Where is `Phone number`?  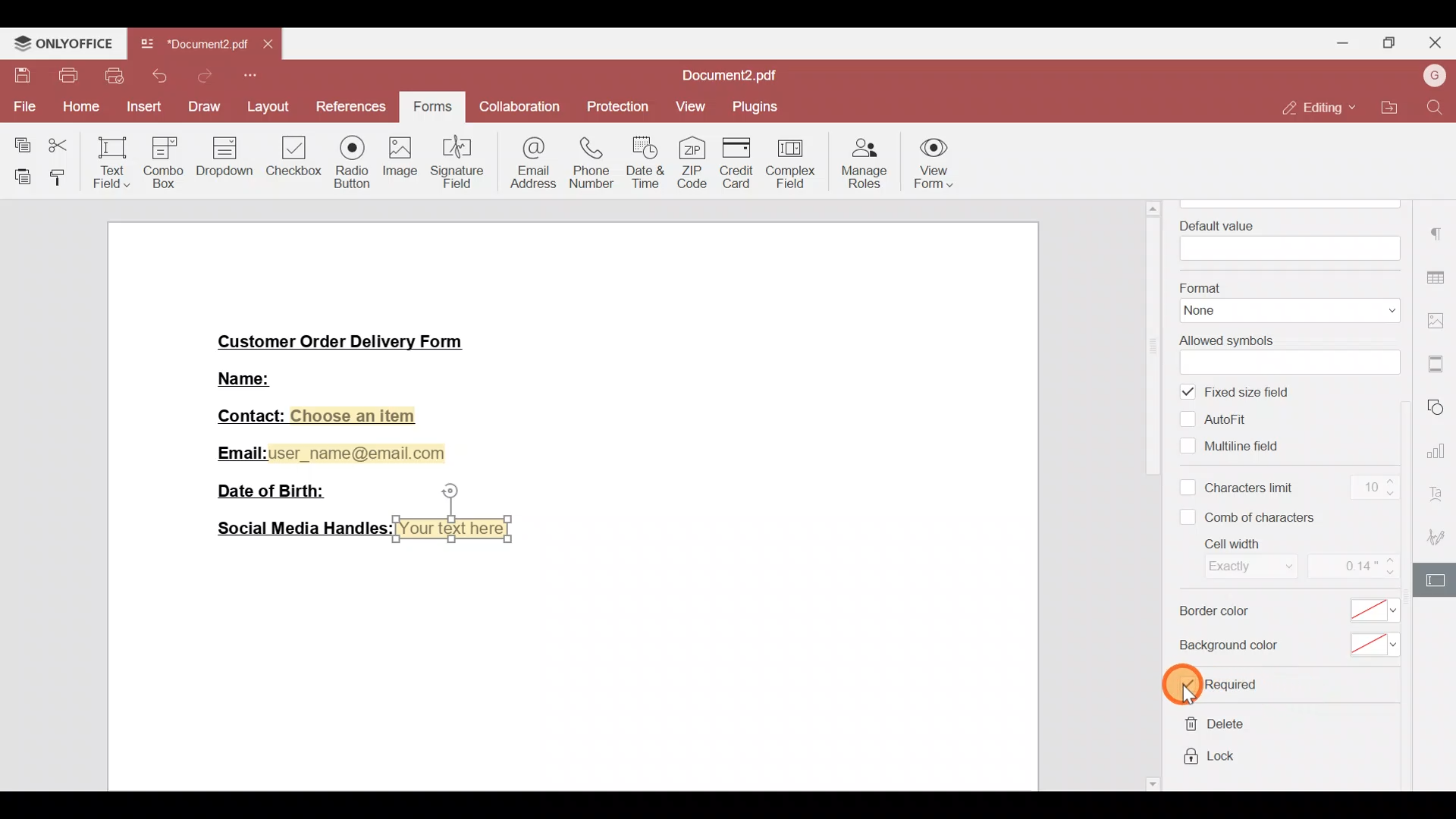 Phone number is located at coordinates (586, 163).